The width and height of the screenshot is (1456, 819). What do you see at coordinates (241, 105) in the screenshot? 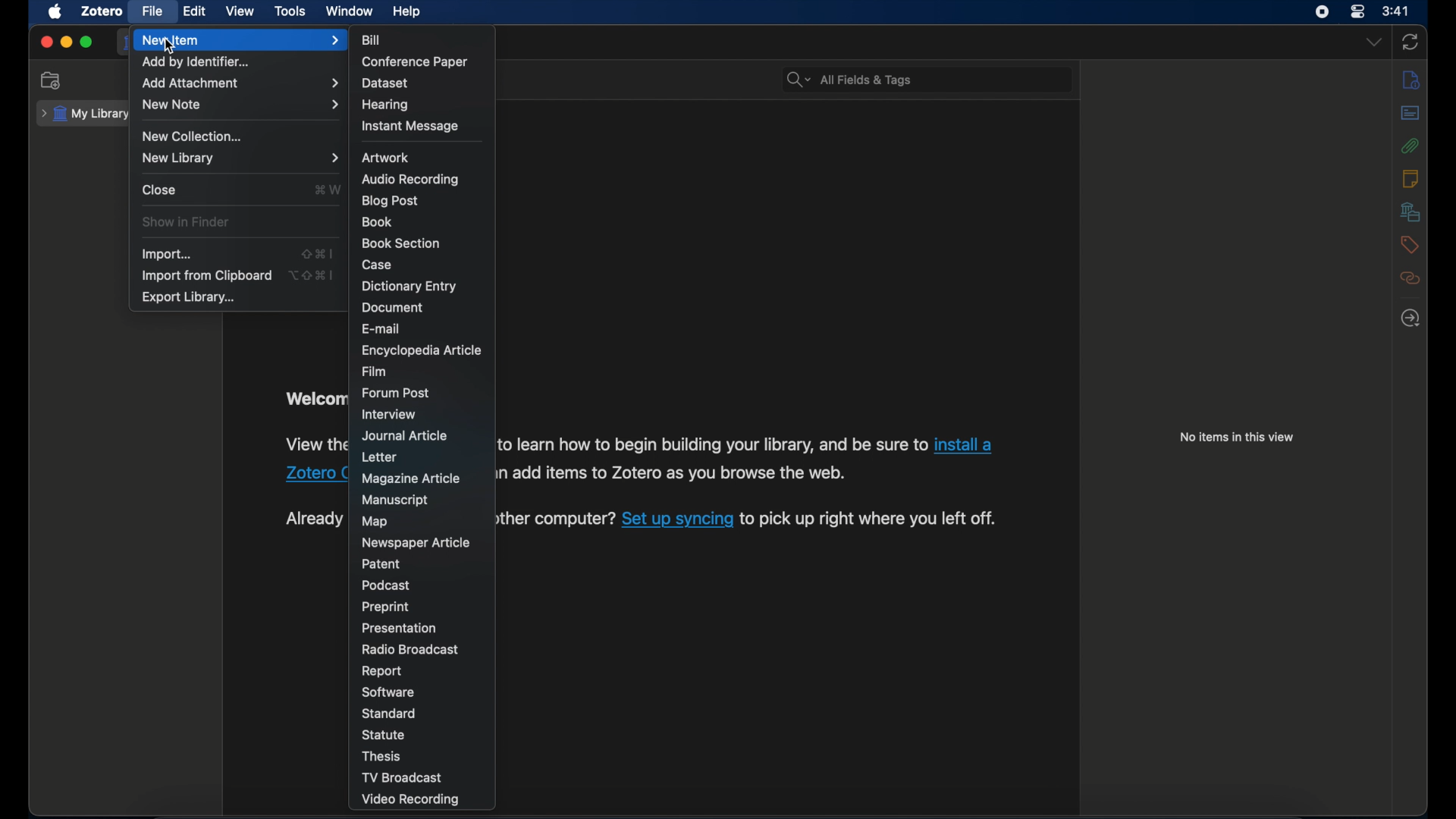
I see `new note` at bounding box center [241, 105].